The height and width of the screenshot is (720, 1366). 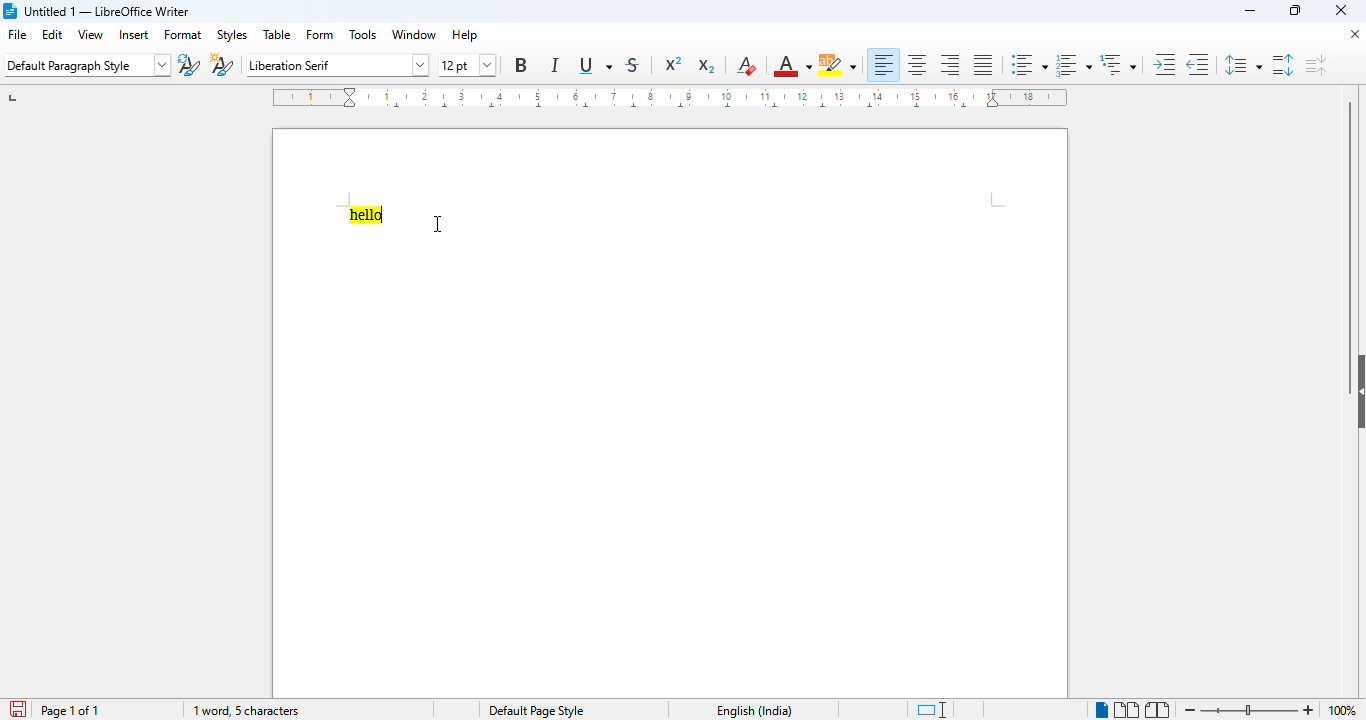 I want to click on file, so click(x=16, y=34).